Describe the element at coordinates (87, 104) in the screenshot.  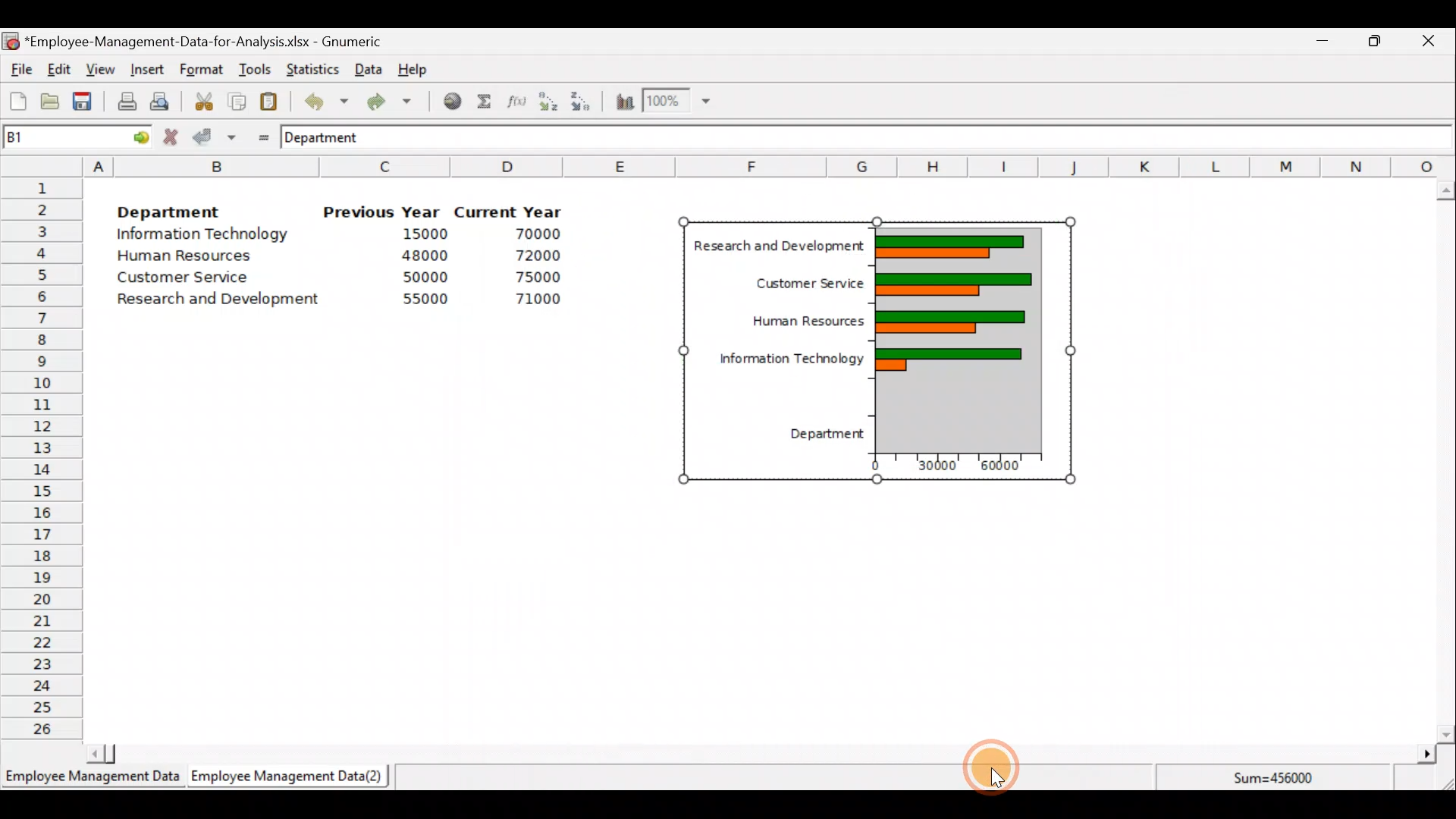
I see `Save the current workbook` at that location.